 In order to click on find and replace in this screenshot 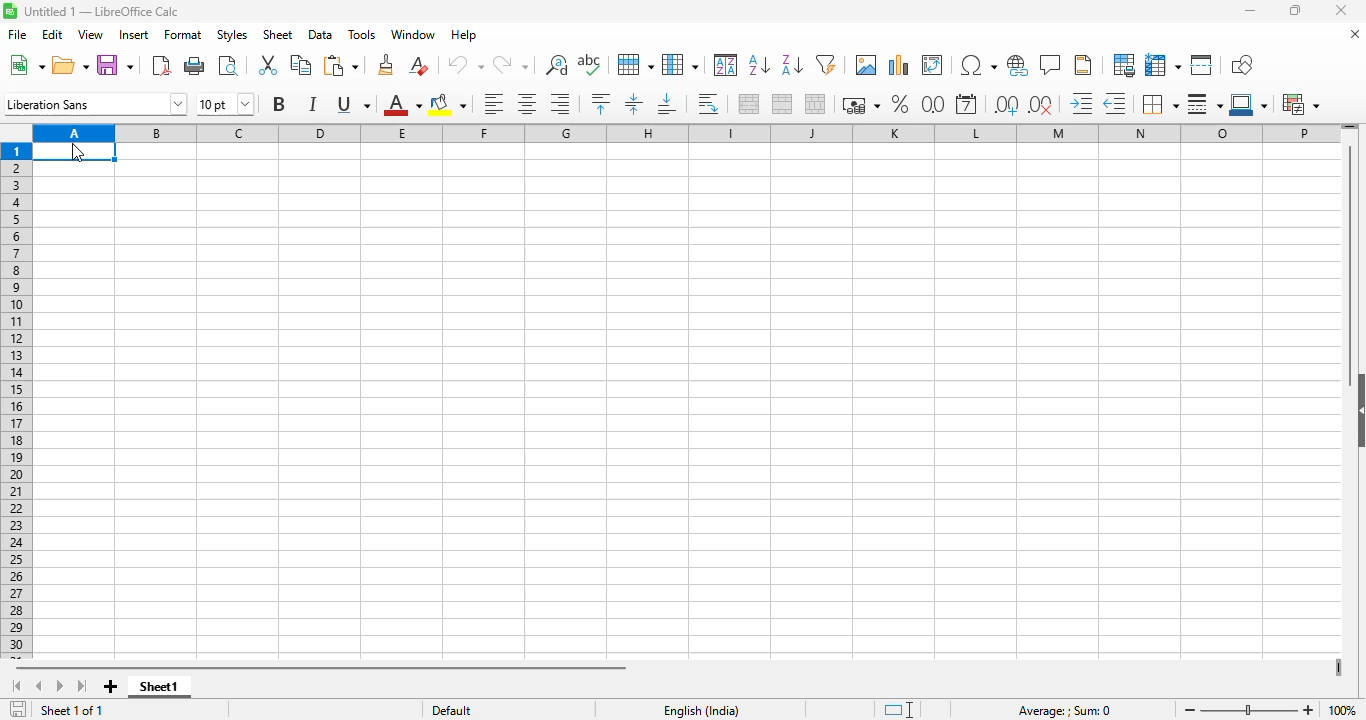, I will do `click(557, 65)`.